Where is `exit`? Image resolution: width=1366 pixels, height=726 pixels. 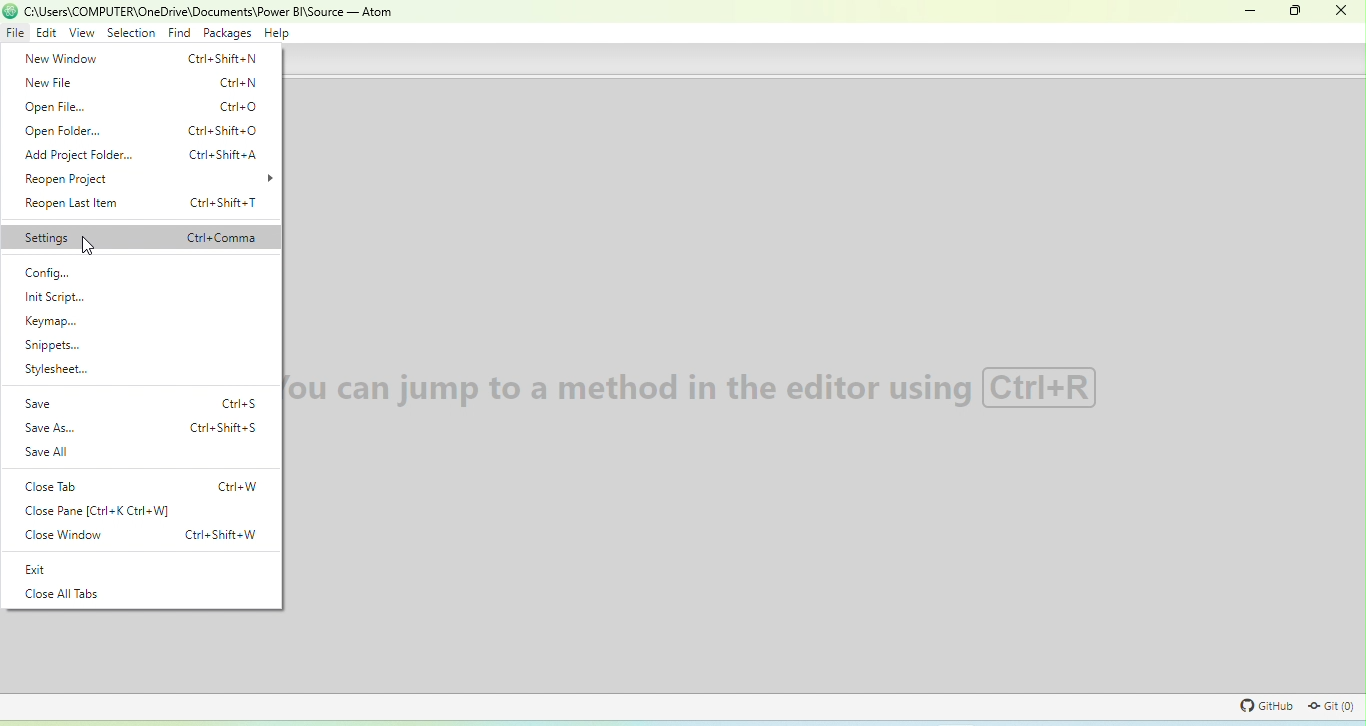
exit is located at coordinates (40, 568).